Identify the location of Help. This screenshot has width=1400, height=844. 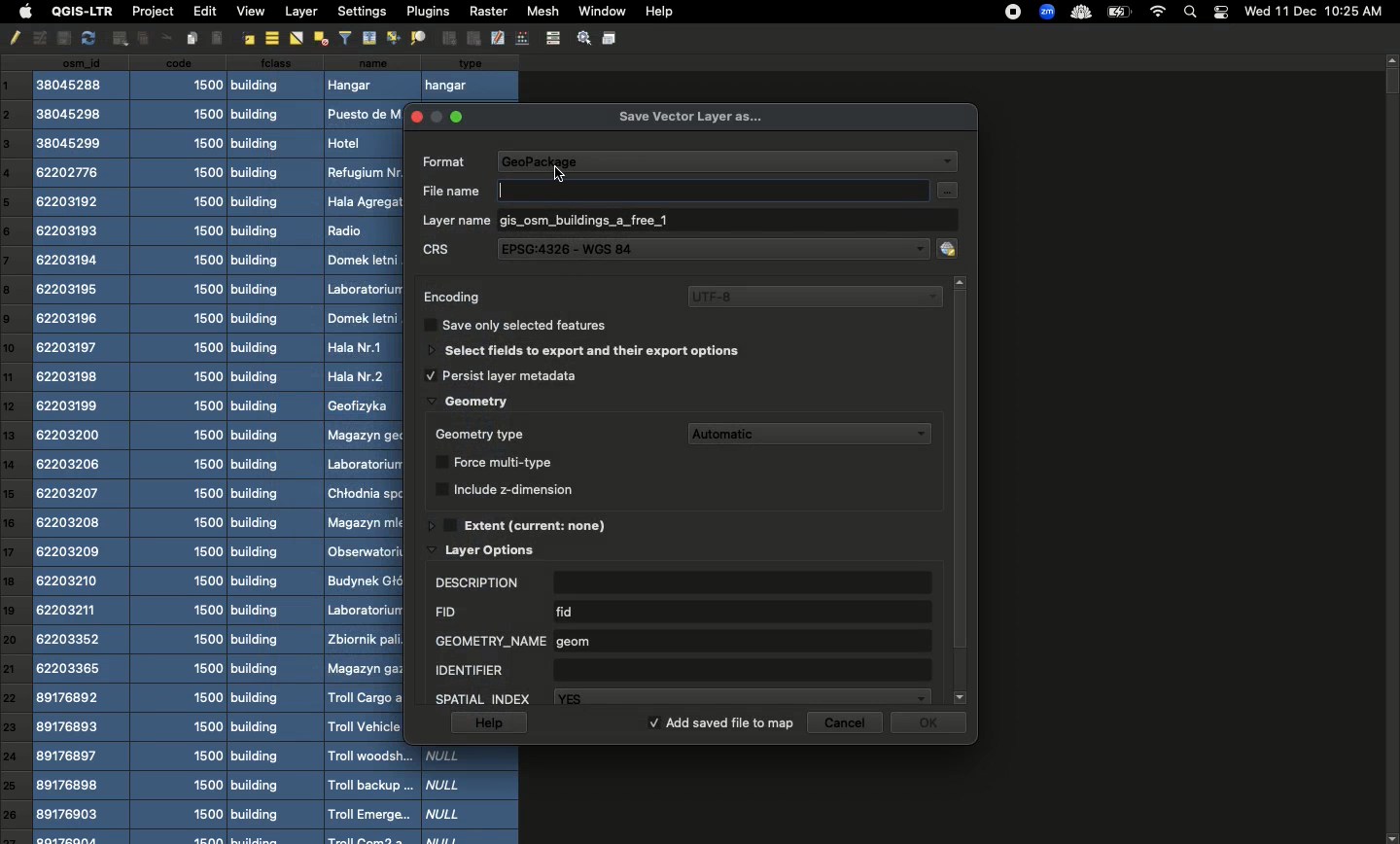
(487, 723).